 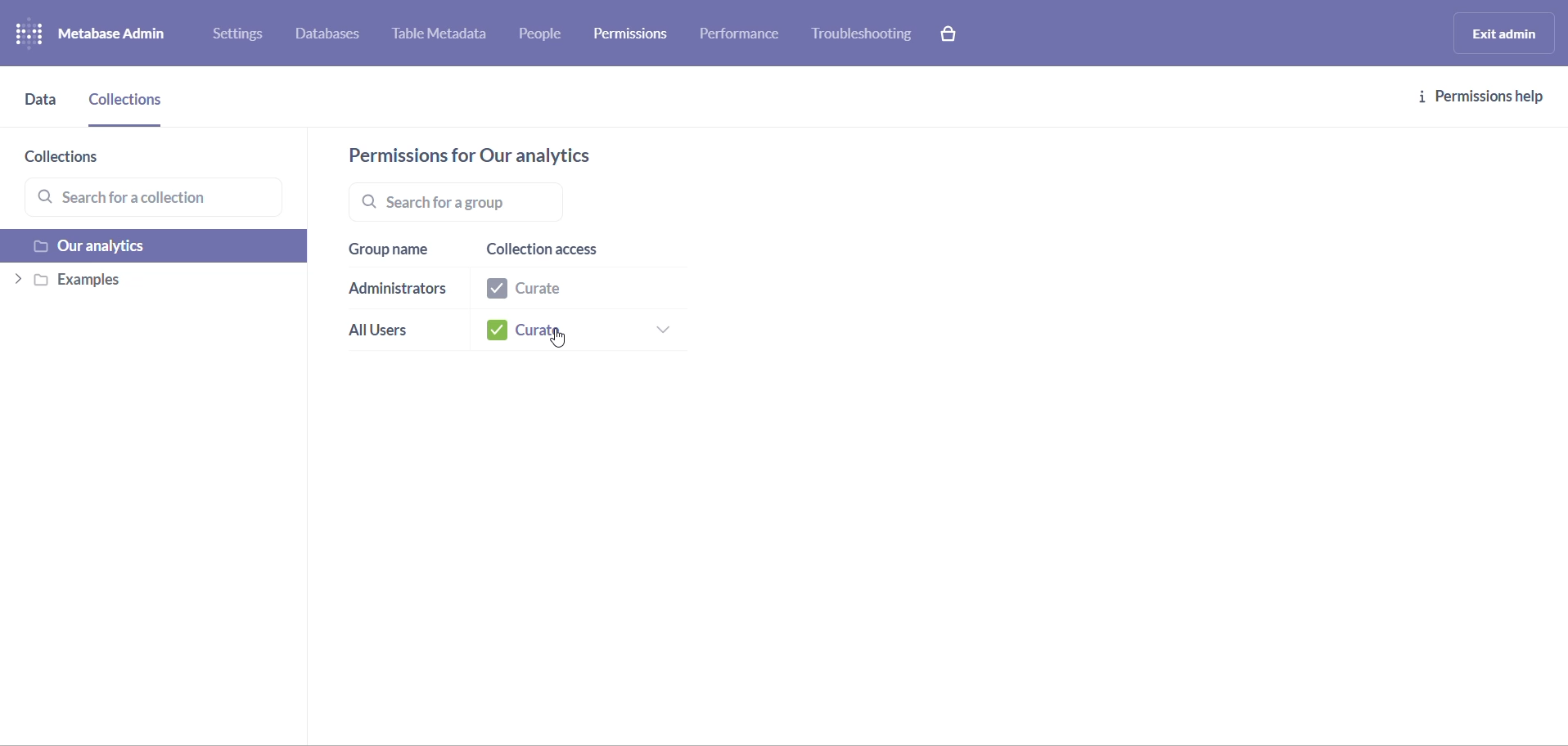 I want to click on logo and name, so click(x=105, y=34).